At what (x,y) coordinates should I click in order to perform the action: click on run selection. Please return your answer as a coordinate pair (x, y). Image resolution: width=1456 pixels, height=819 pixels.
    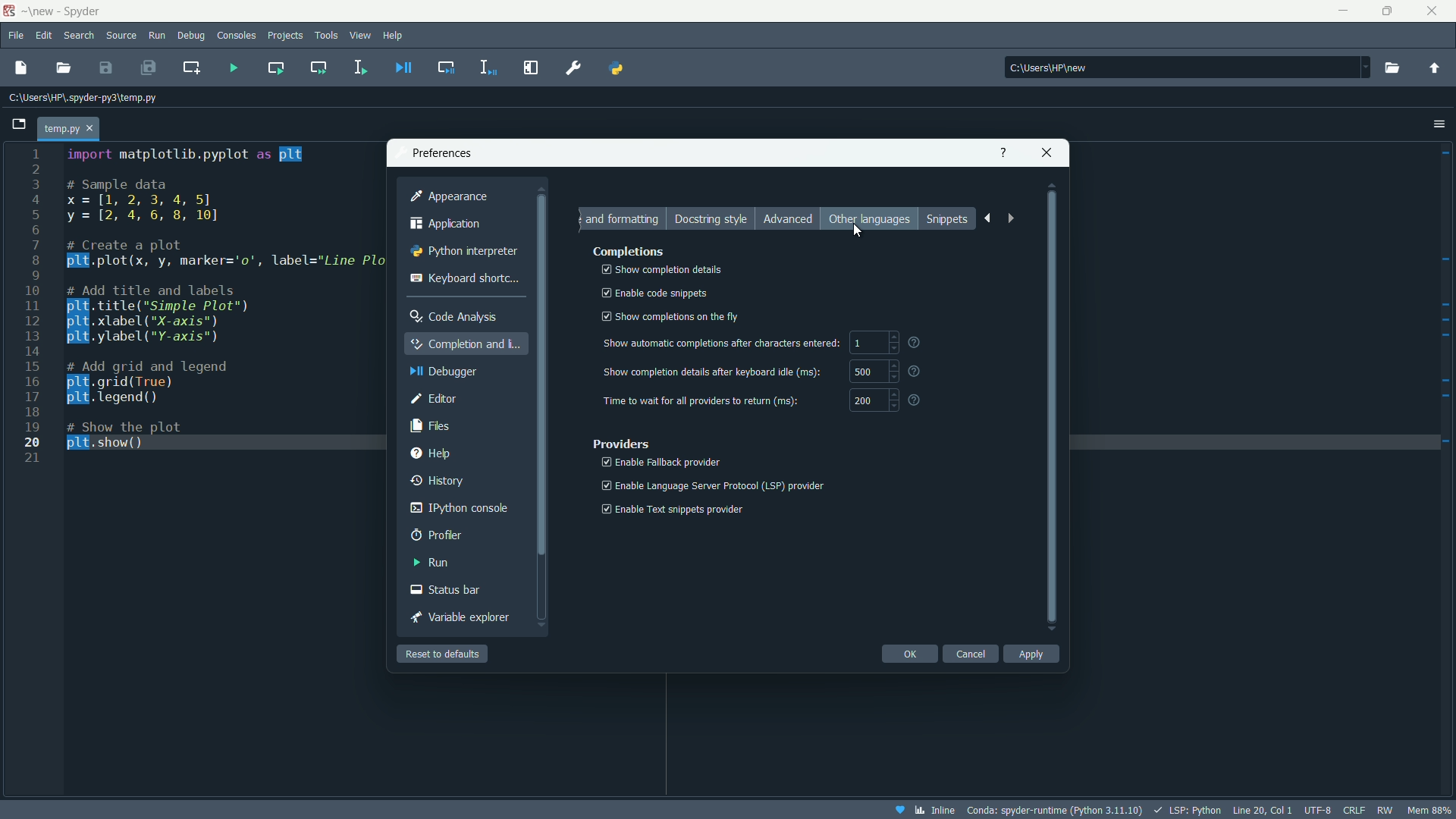
    Looking at the image, I should click on (359, 67).